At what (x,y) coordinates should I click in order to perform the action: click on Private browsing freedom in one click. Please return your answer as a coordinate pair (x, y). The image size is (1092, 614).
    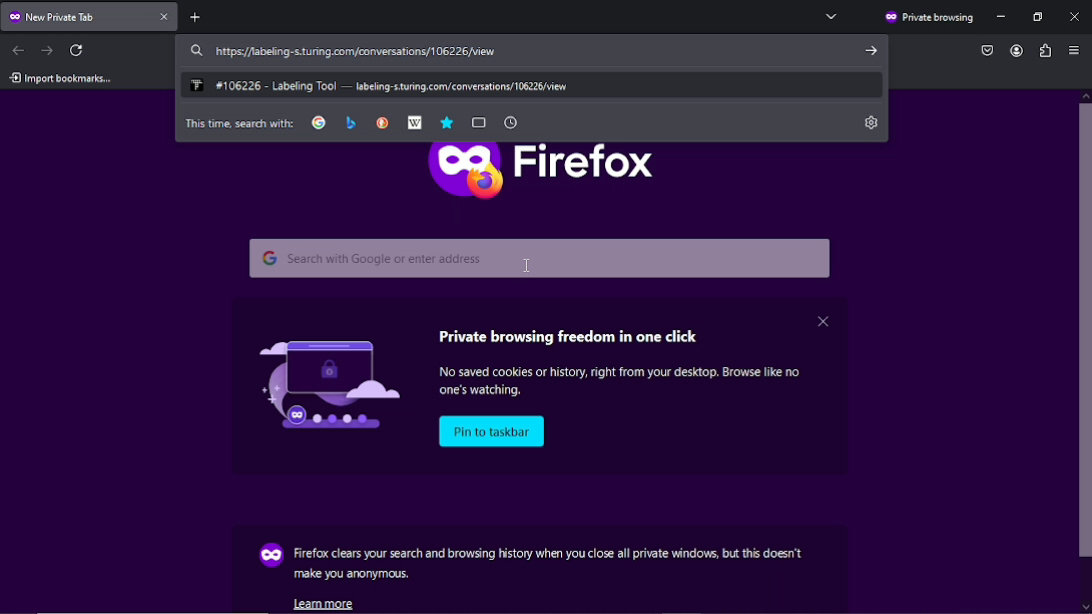
    Looking at the image, I should click on (572, 333).